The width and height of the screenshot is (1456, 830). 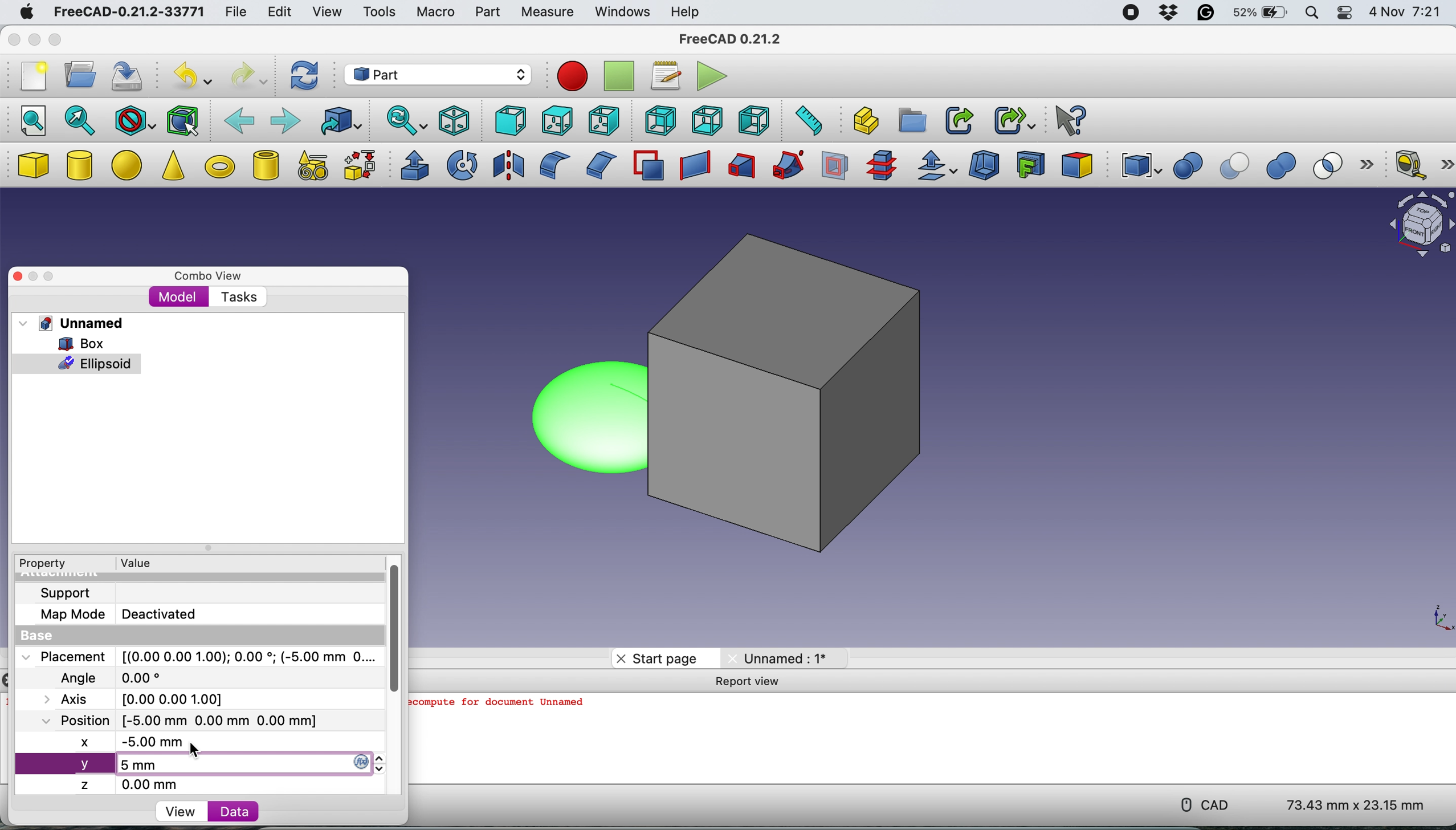 What do you see at coordinates (12, 40) in the screenshot?
I see `close` at bounding box center [12, 40].